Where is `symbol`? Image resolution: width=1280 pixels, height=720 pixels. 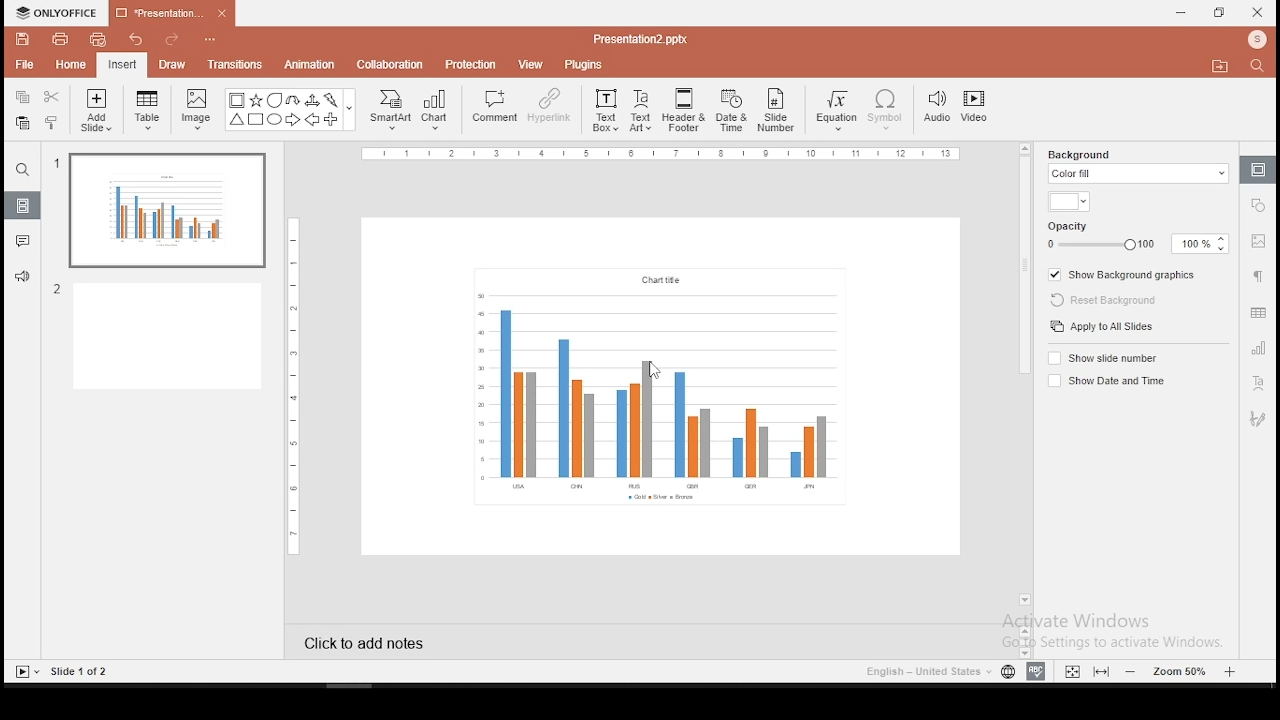
symbol is located at coordinates (885, 110).